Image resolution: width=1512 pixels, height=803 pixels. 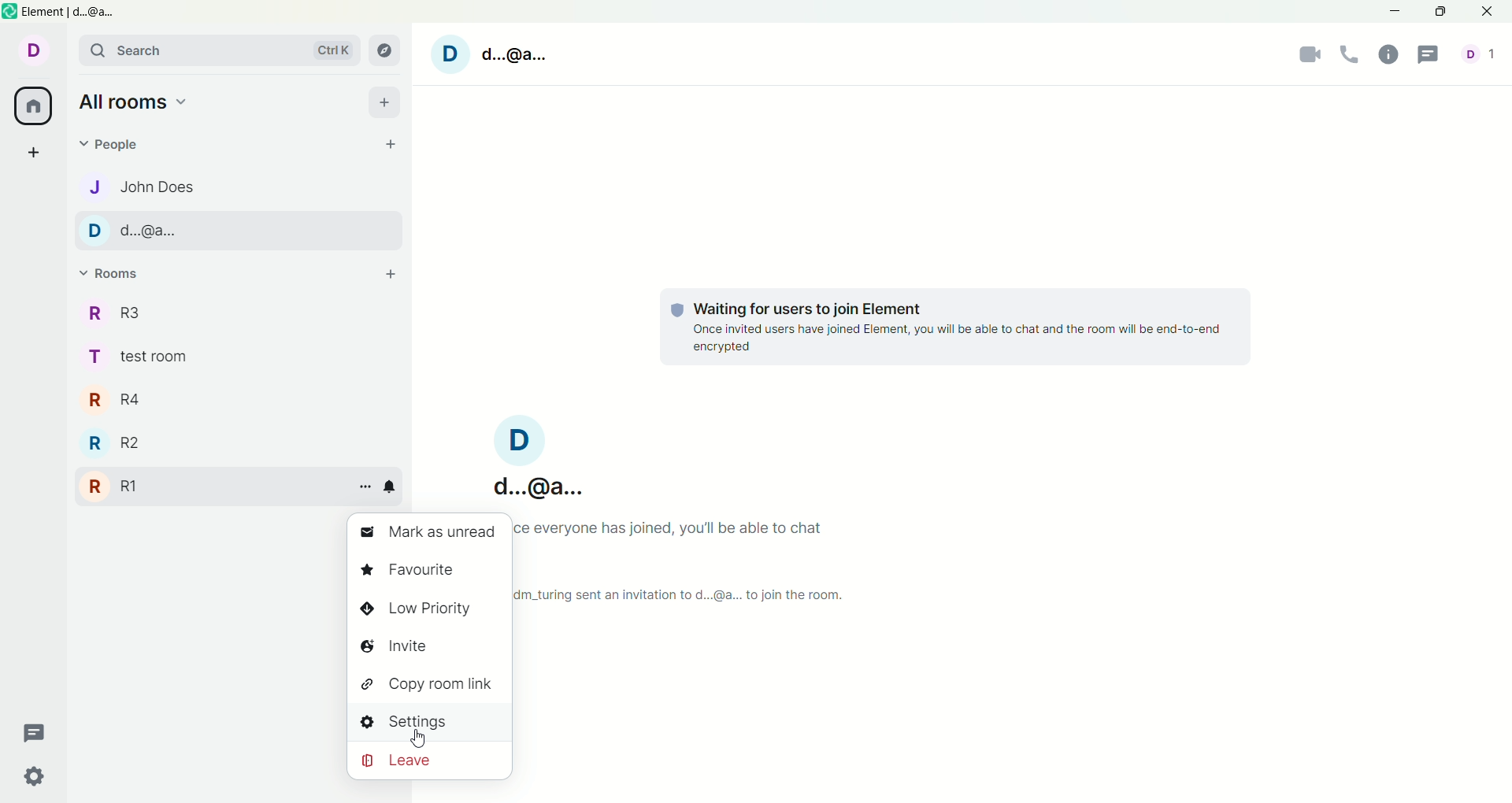 I want to click on maximize, so click(x=1439, y=9).